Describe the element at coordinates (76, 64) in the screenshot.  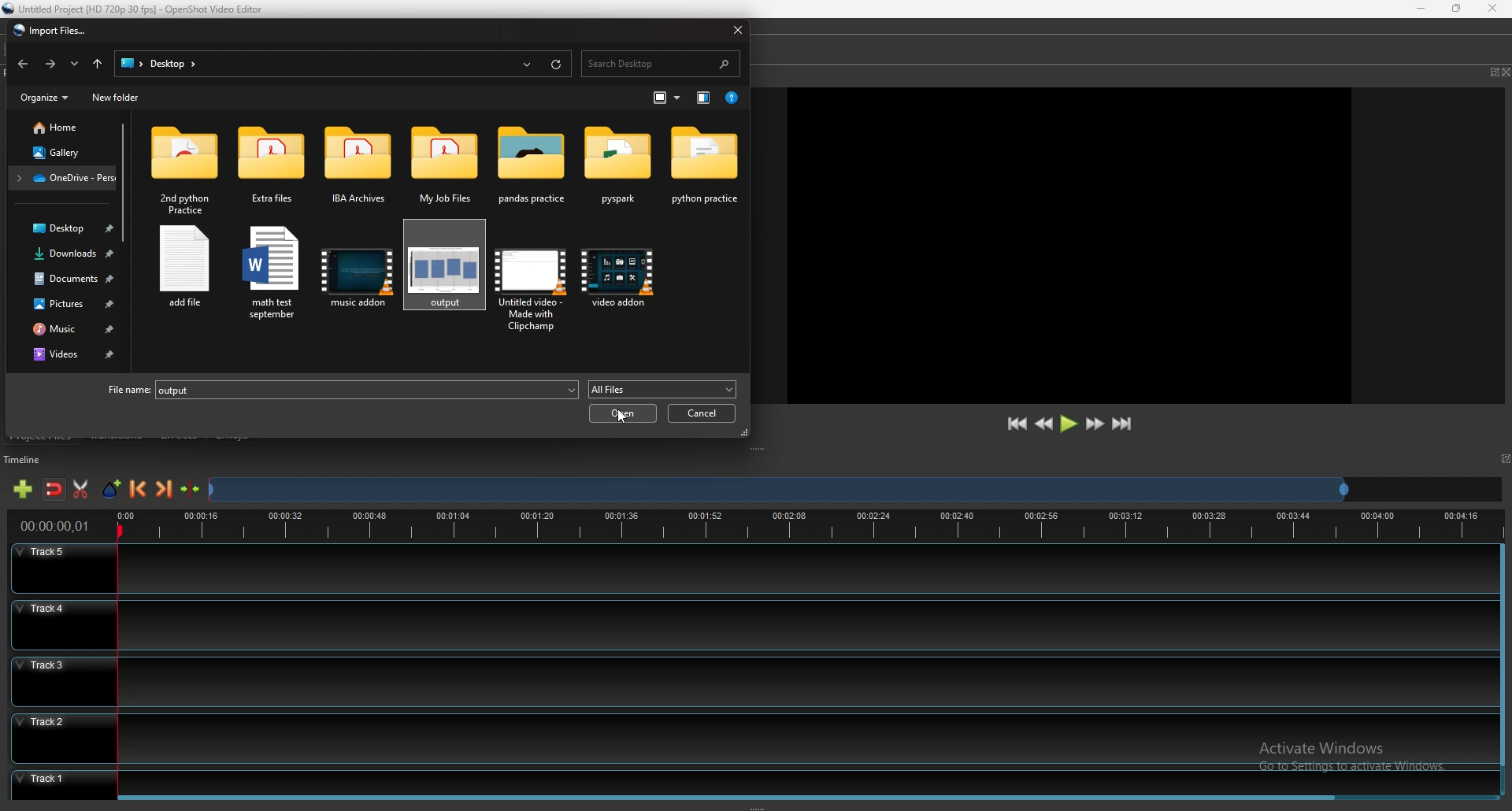
I see `recent` at that location.